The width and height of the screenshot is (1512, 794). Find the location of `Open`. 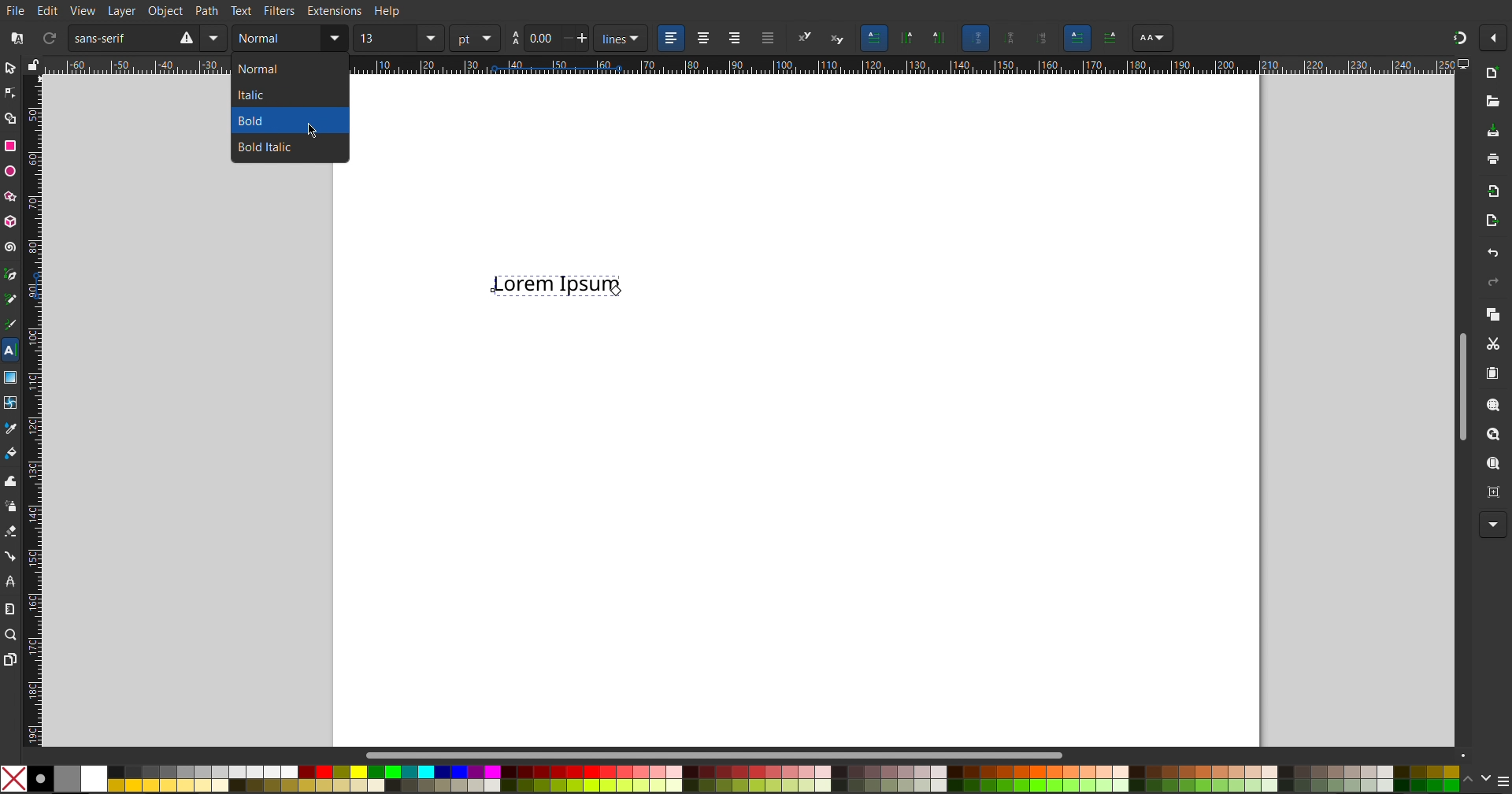

Open is located at coordinates (1492, 100).